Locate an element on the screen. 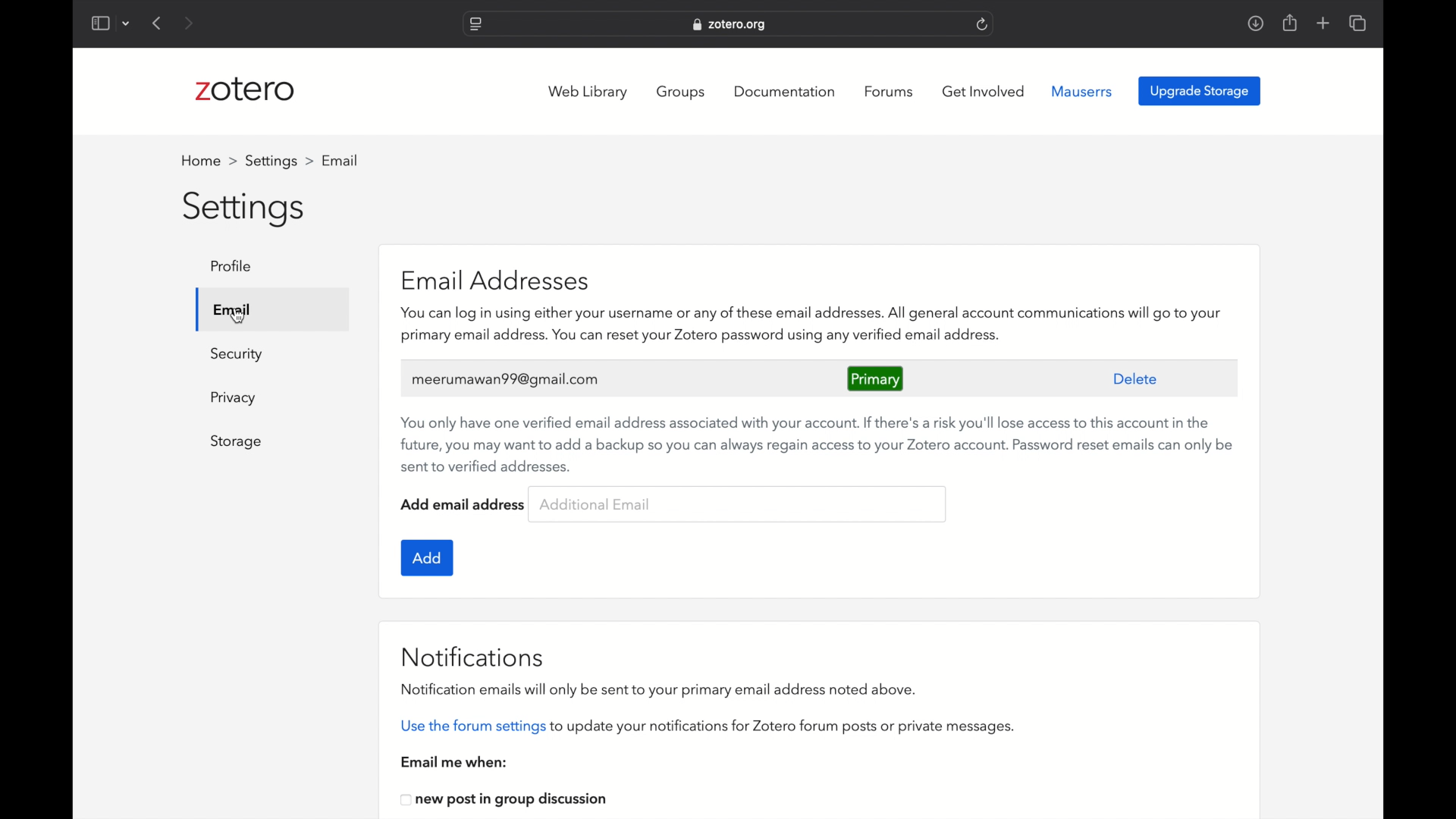 This screenshot has height=819, width=1456. new post in group discussion is located at coordinates (506, 801).